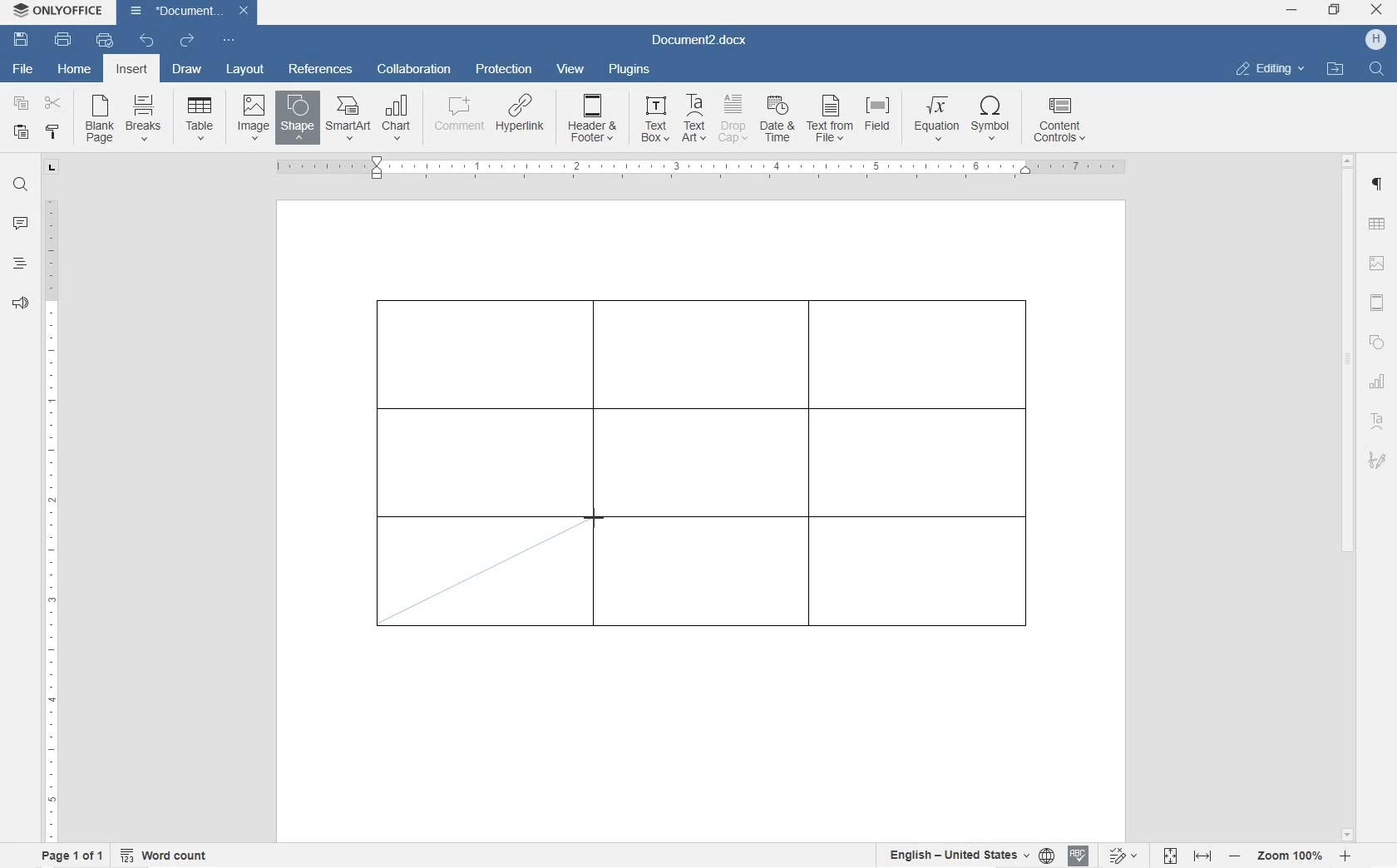 The image size is (1397, 868). Describe the element at coordinates (187, 42) in the screenshot. I see `redo` at that location.